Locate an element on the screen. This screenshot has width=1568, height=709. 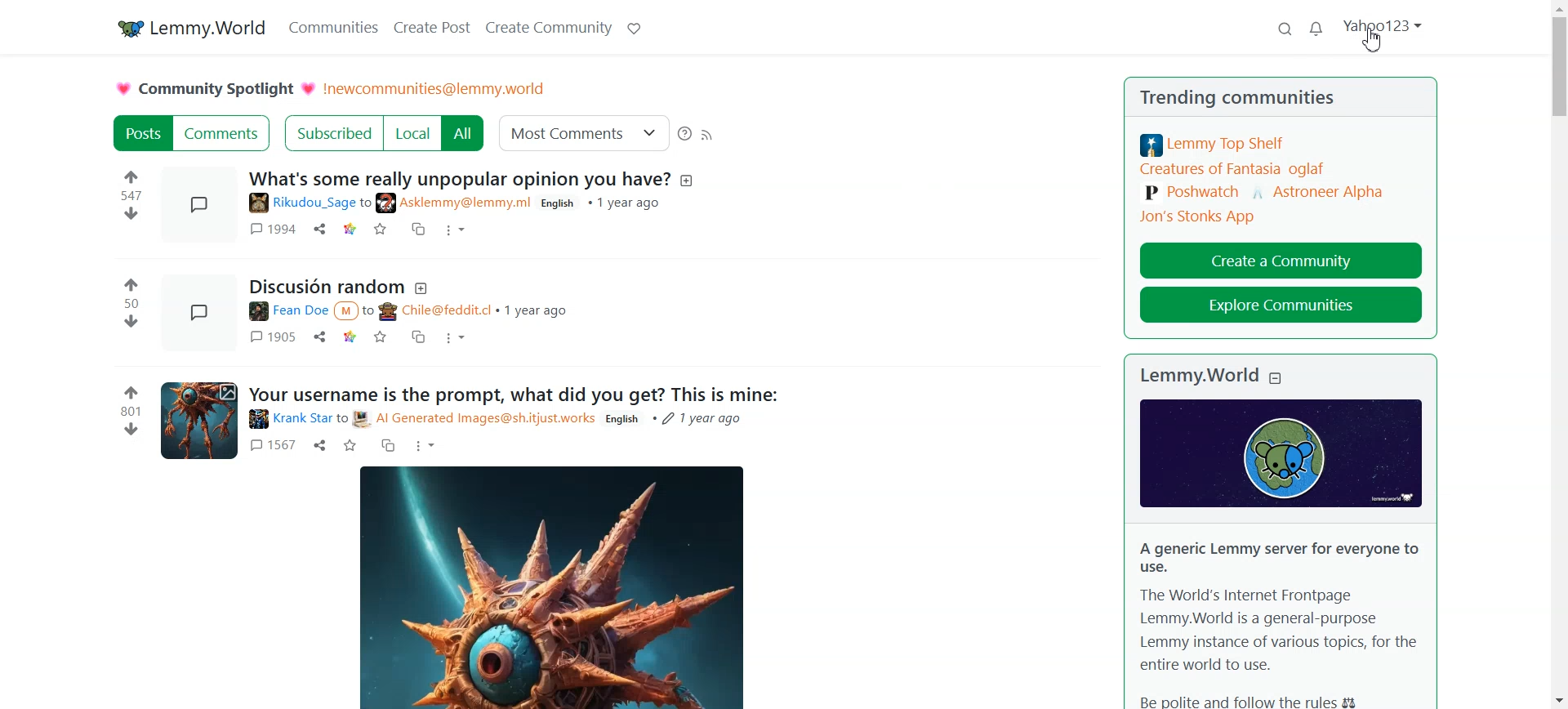
description is located at coordinates (689, 181).